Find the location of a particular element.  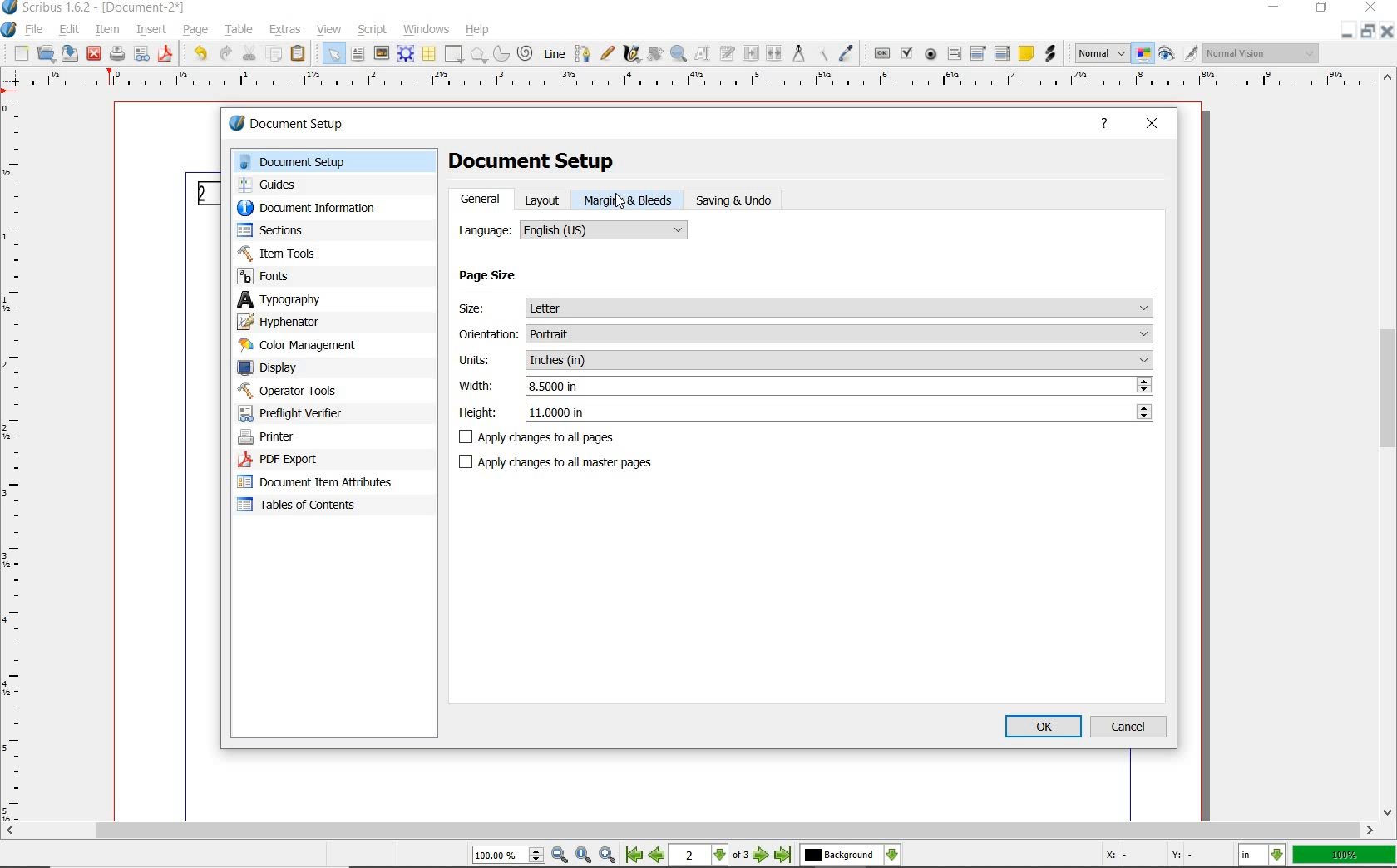

windows is located at coordinates (427, 28).